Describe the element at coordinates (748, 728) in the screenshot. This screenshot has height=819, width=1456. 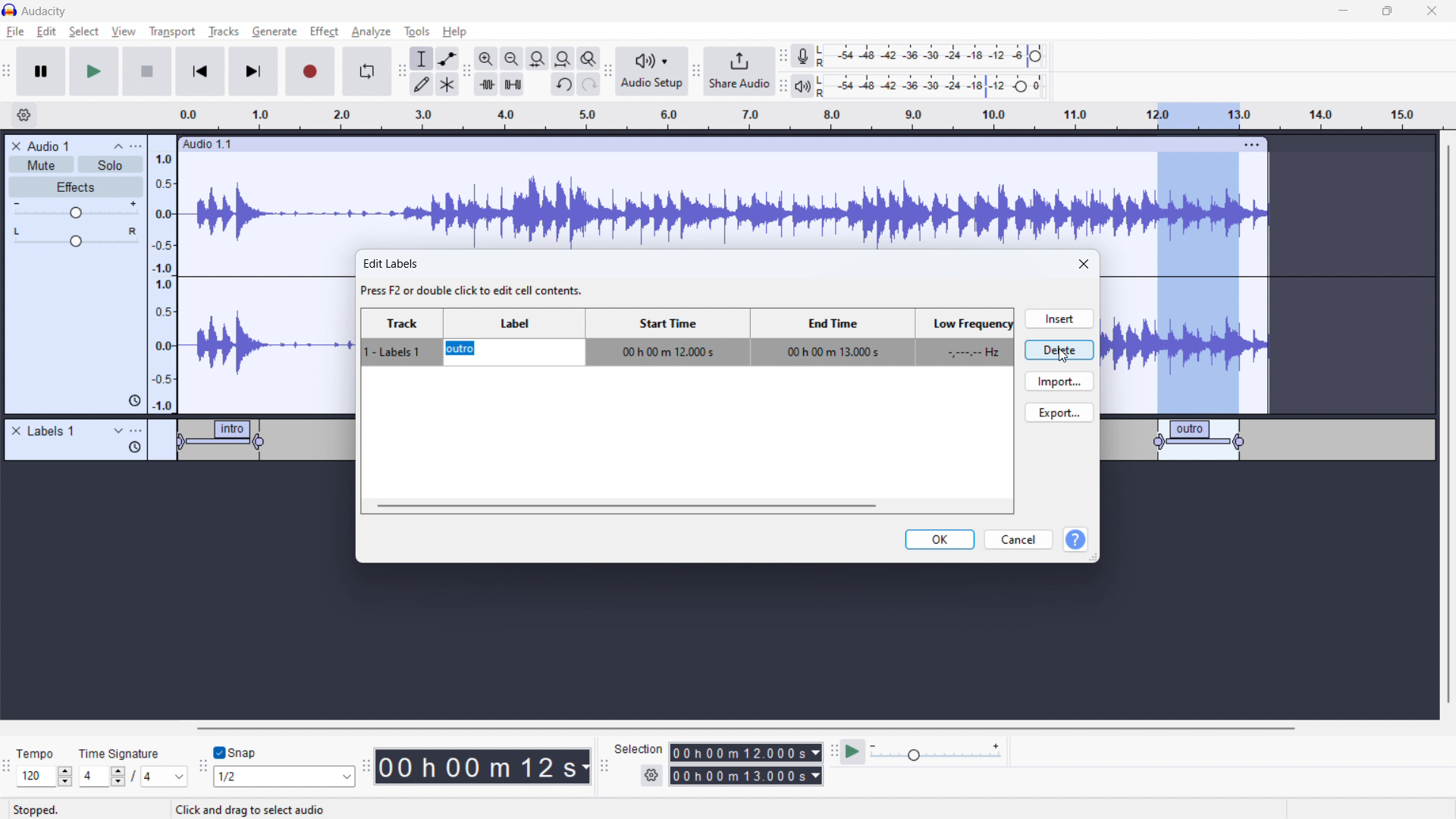
I see `horizontal scrollbar` at that location.